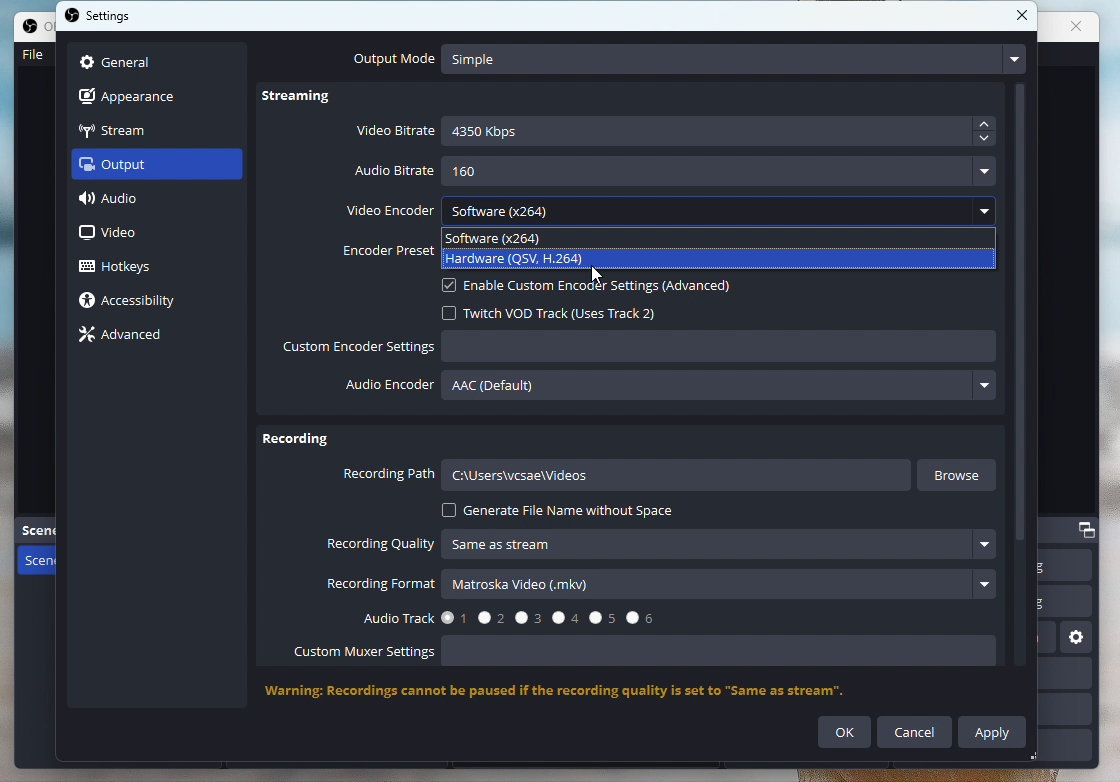 The height and width of the screenshot is (782, 1120). I want to click on Warning, so click(576, 692).